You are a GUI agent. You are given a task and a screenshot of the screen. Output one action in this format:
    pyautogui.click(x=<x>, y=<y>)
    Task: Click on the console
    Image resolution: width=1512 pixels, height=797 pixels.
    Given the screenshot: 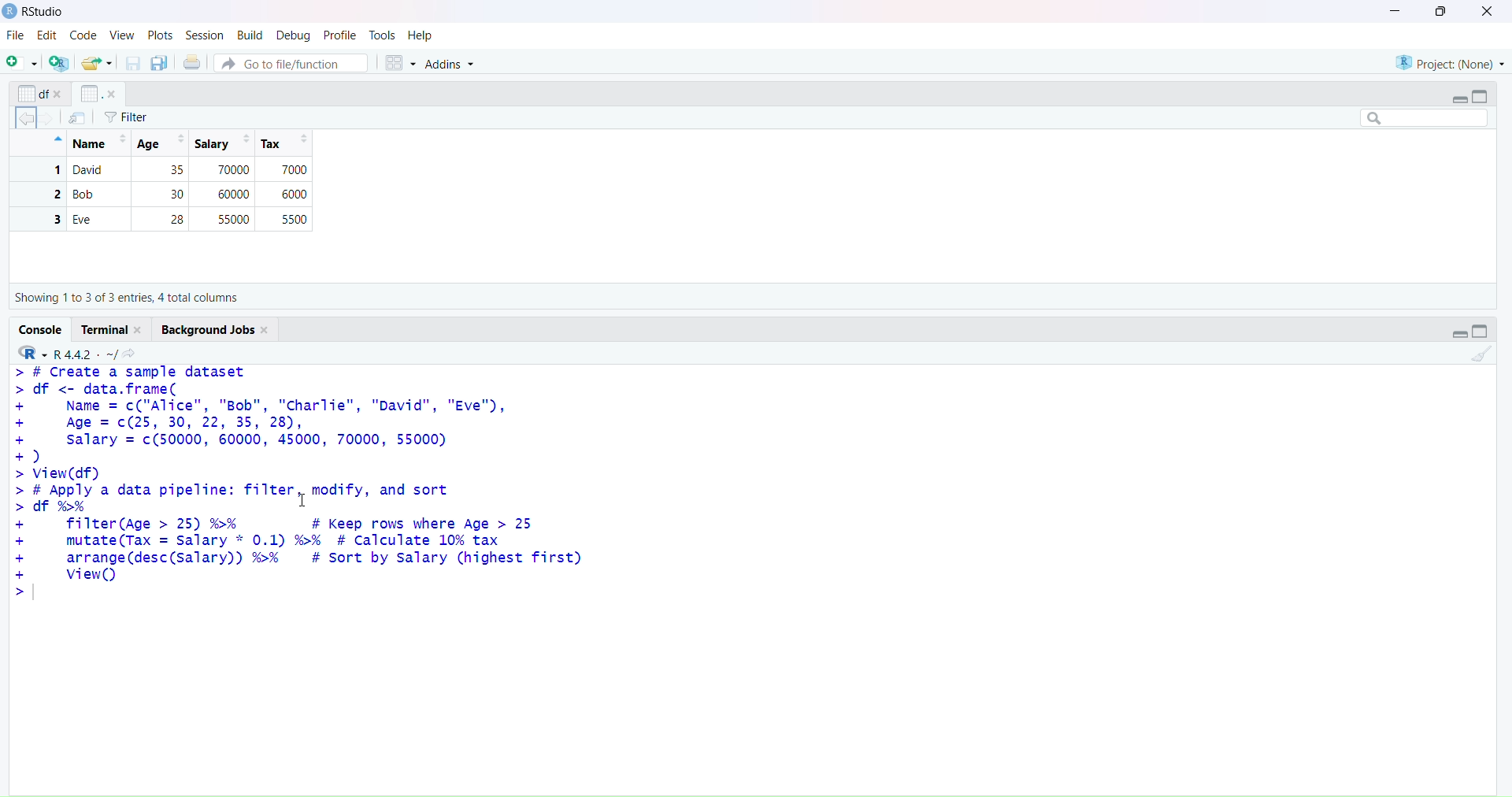 What is the action you would take?
    pyautogui.click(x=41, y=330)
    